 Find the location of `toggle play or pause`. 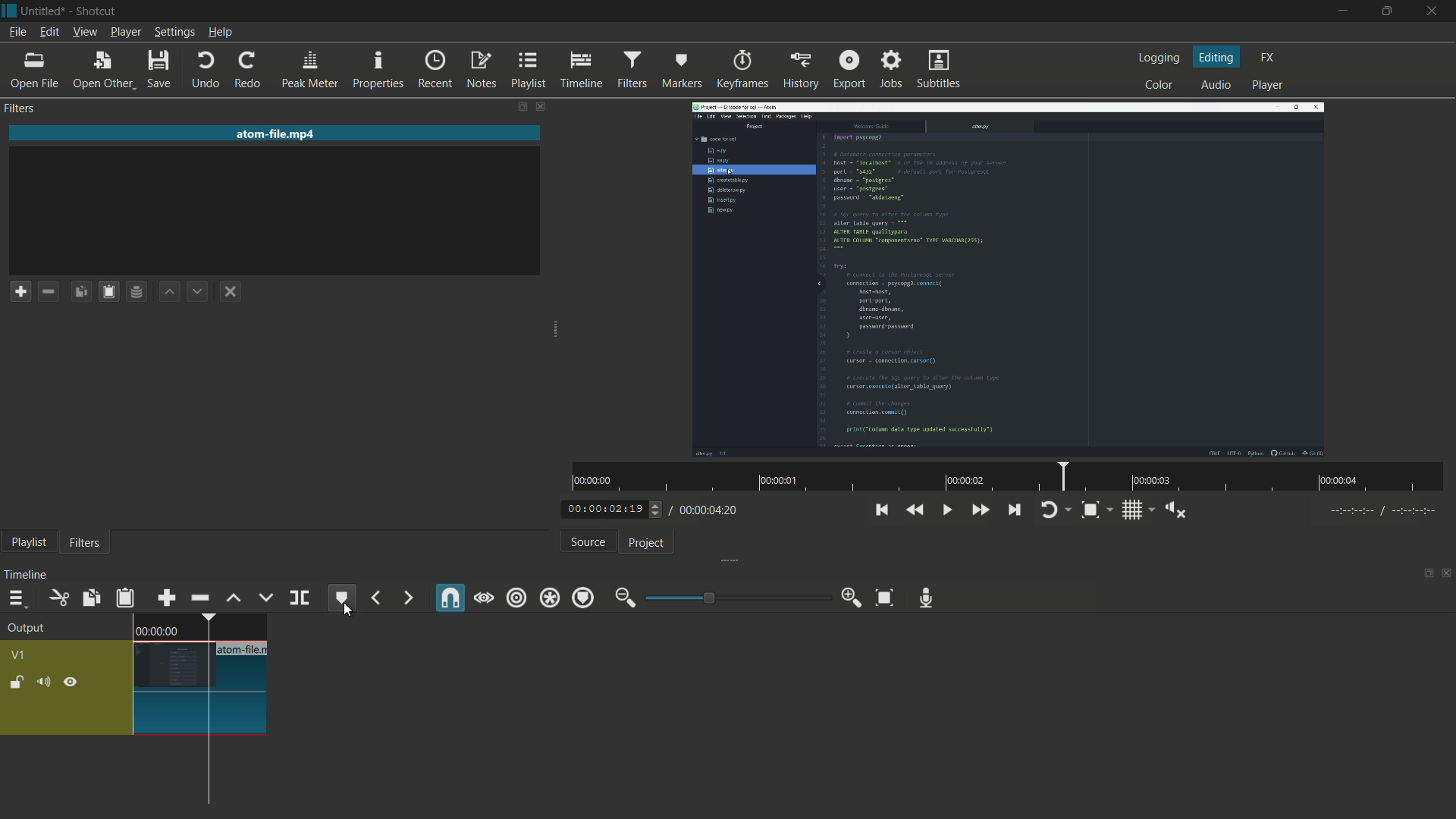

toggle play or pause is located at coordinates (945, 510).